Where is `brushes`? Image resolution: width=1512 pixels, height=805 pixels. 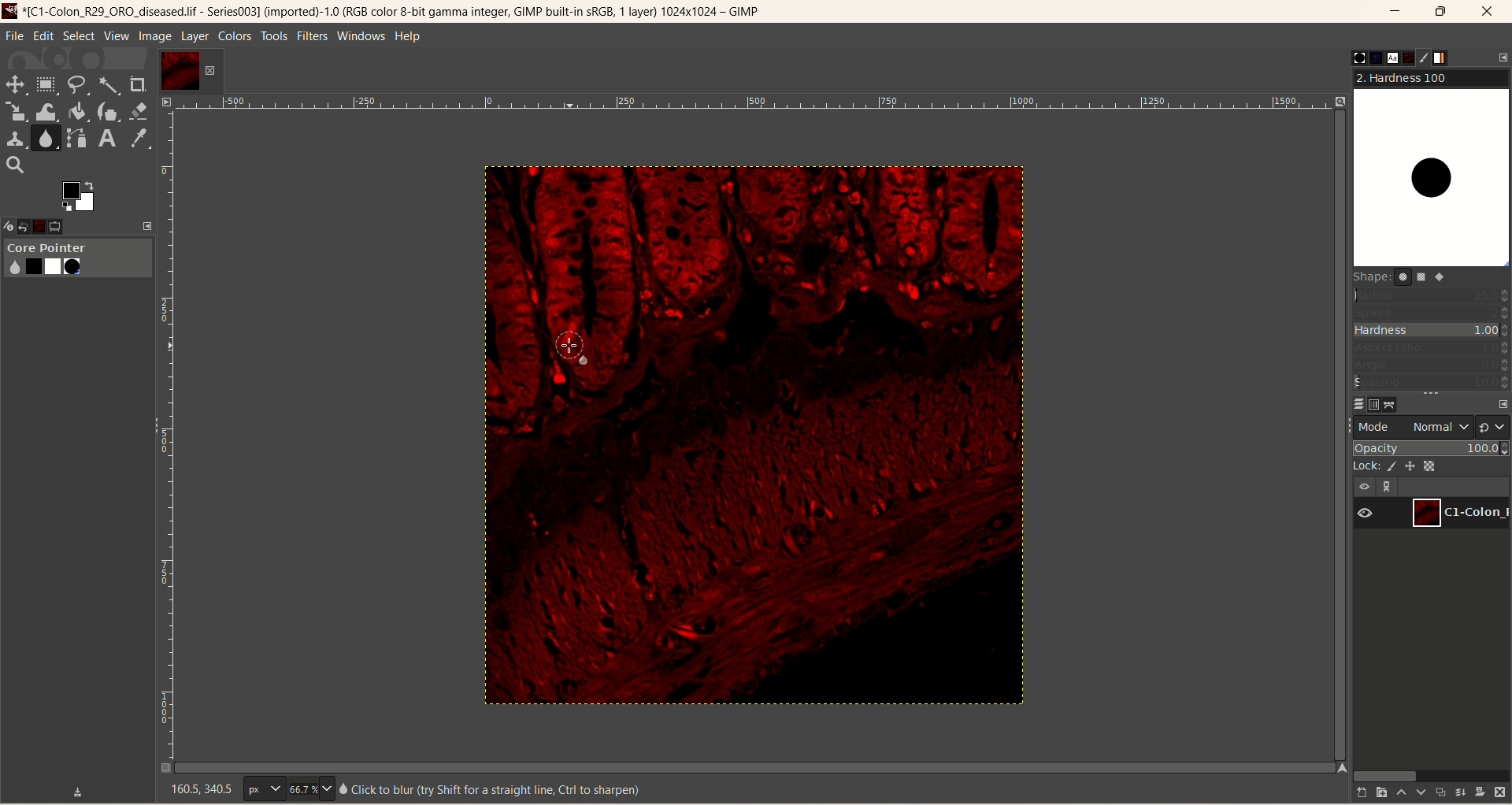 brushes is located at coordinates (1347, 57).